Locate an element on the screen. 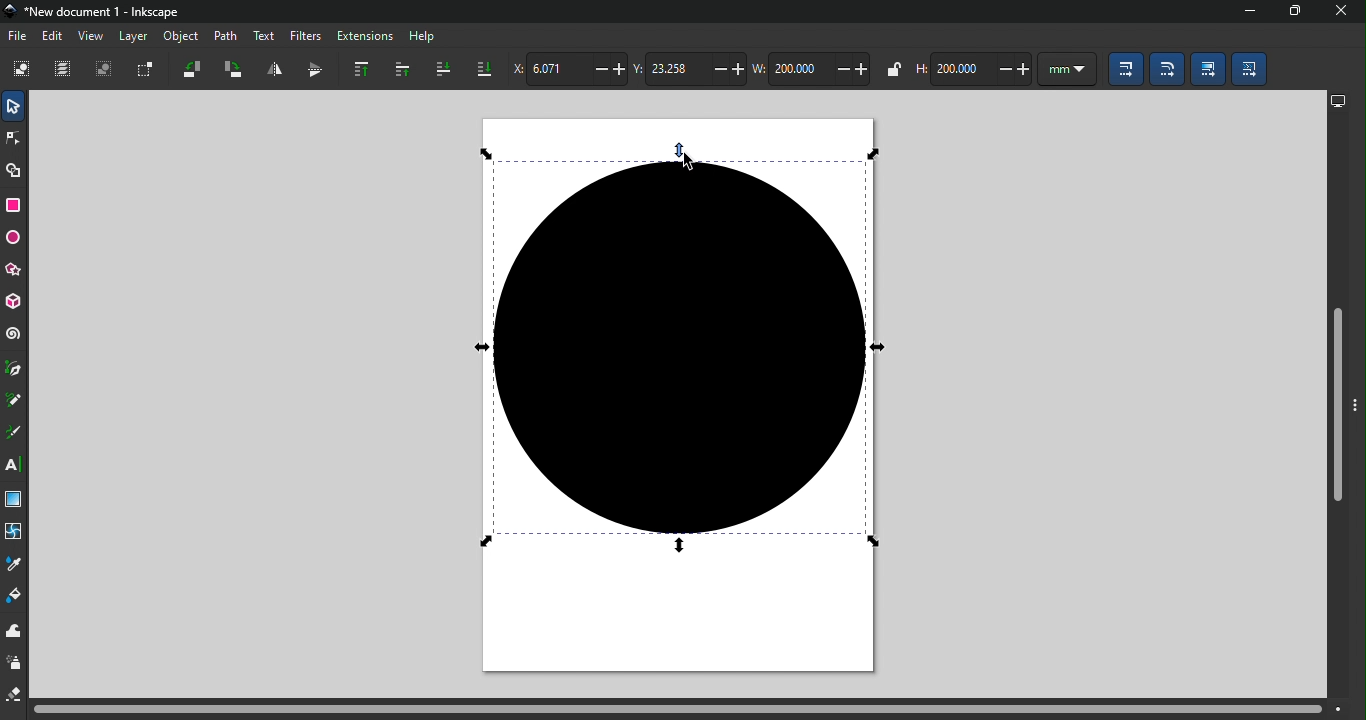 The width and height of the screenshot is (1366, 720). Object is located at coordinates (181, 36).